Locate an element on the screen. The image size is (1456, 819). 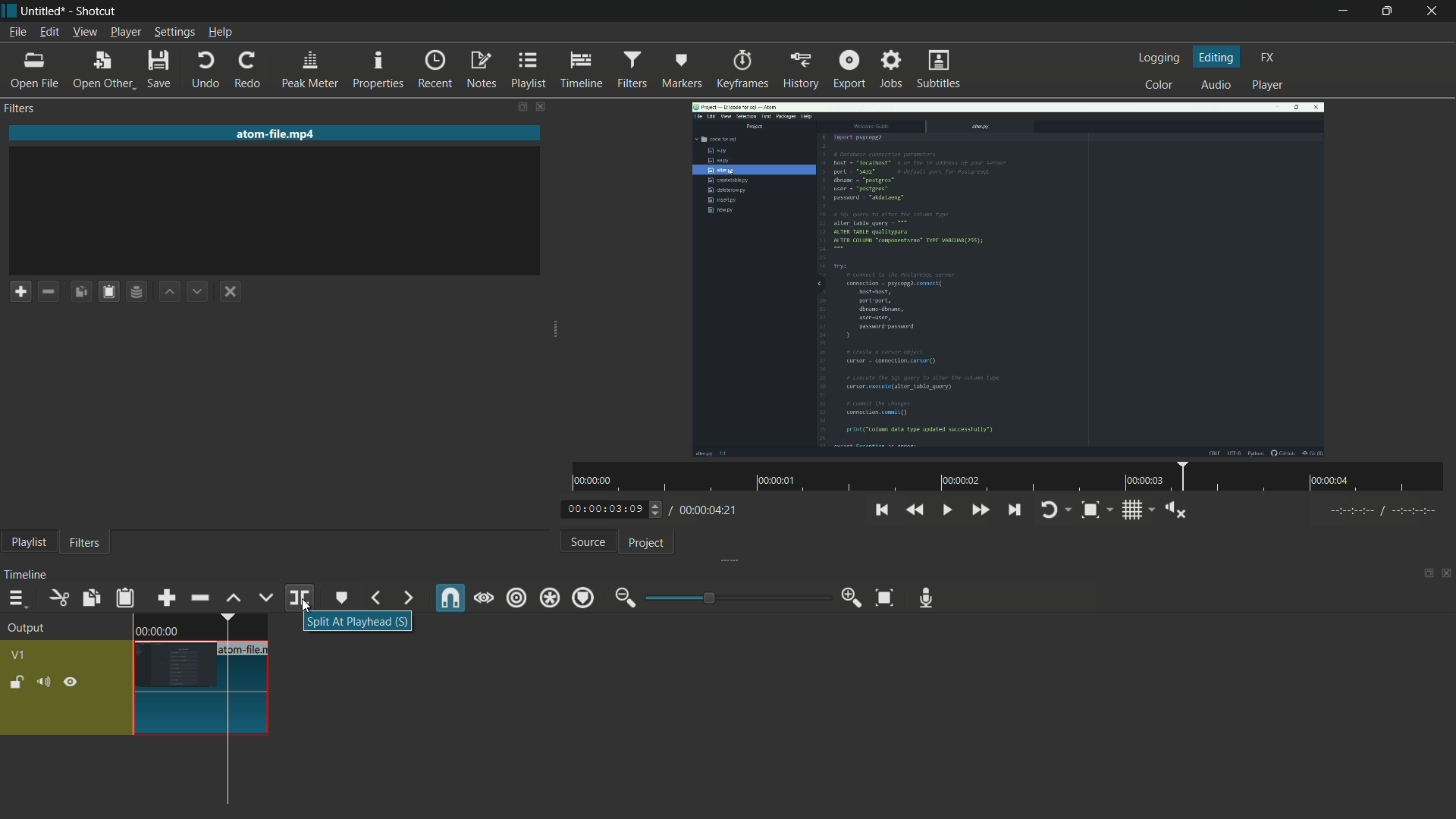
shoe volume control is located at coordinates (1177, 510).